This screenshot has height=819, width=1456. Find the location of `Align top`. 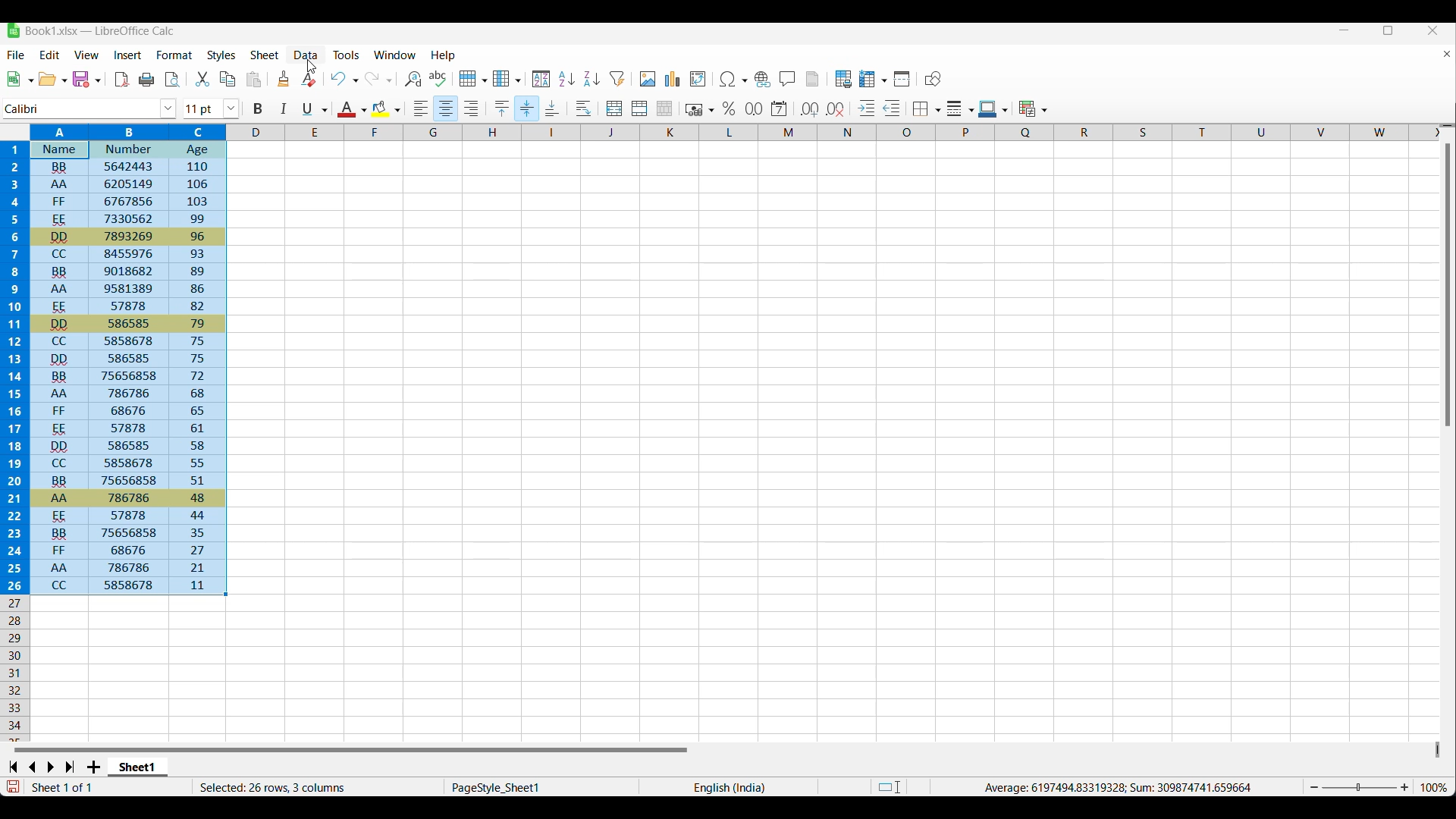

Align top is located at coordinates (502, 109).